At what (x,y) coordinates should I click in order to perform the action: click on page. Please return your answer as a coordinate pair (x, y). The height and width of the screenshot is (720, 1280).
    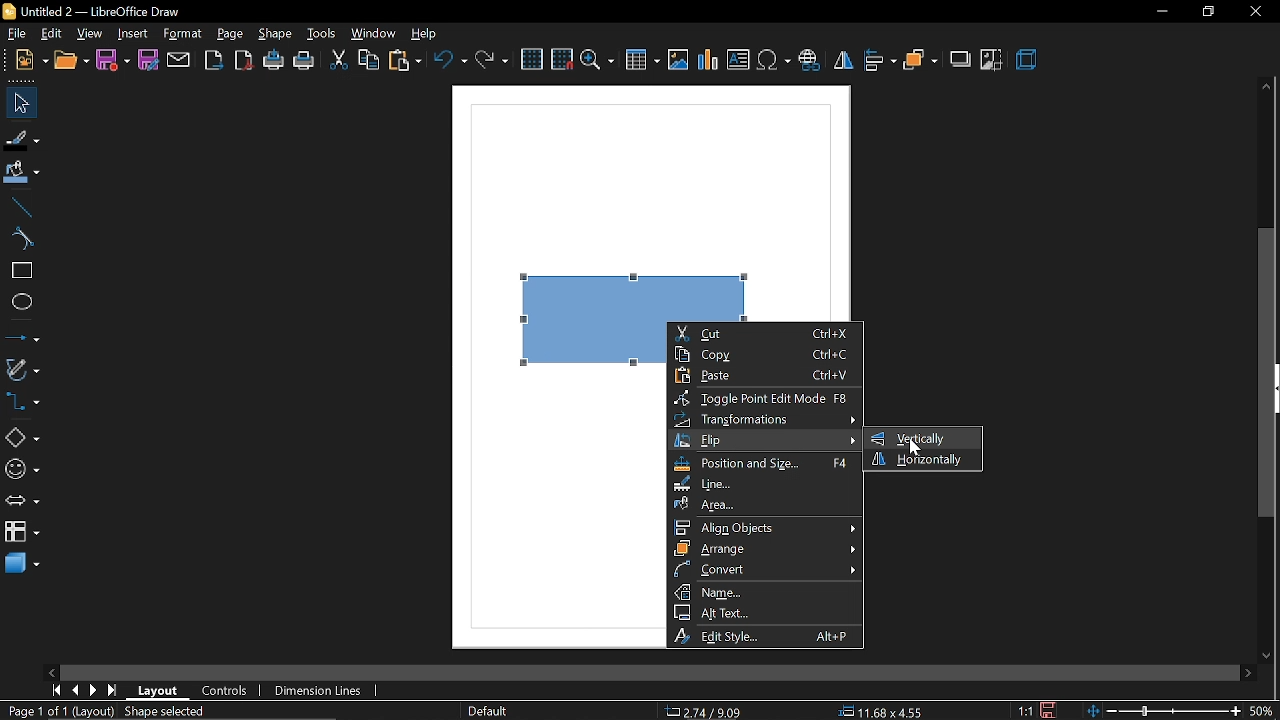
    Looking at the image, I should click on (232, 32).